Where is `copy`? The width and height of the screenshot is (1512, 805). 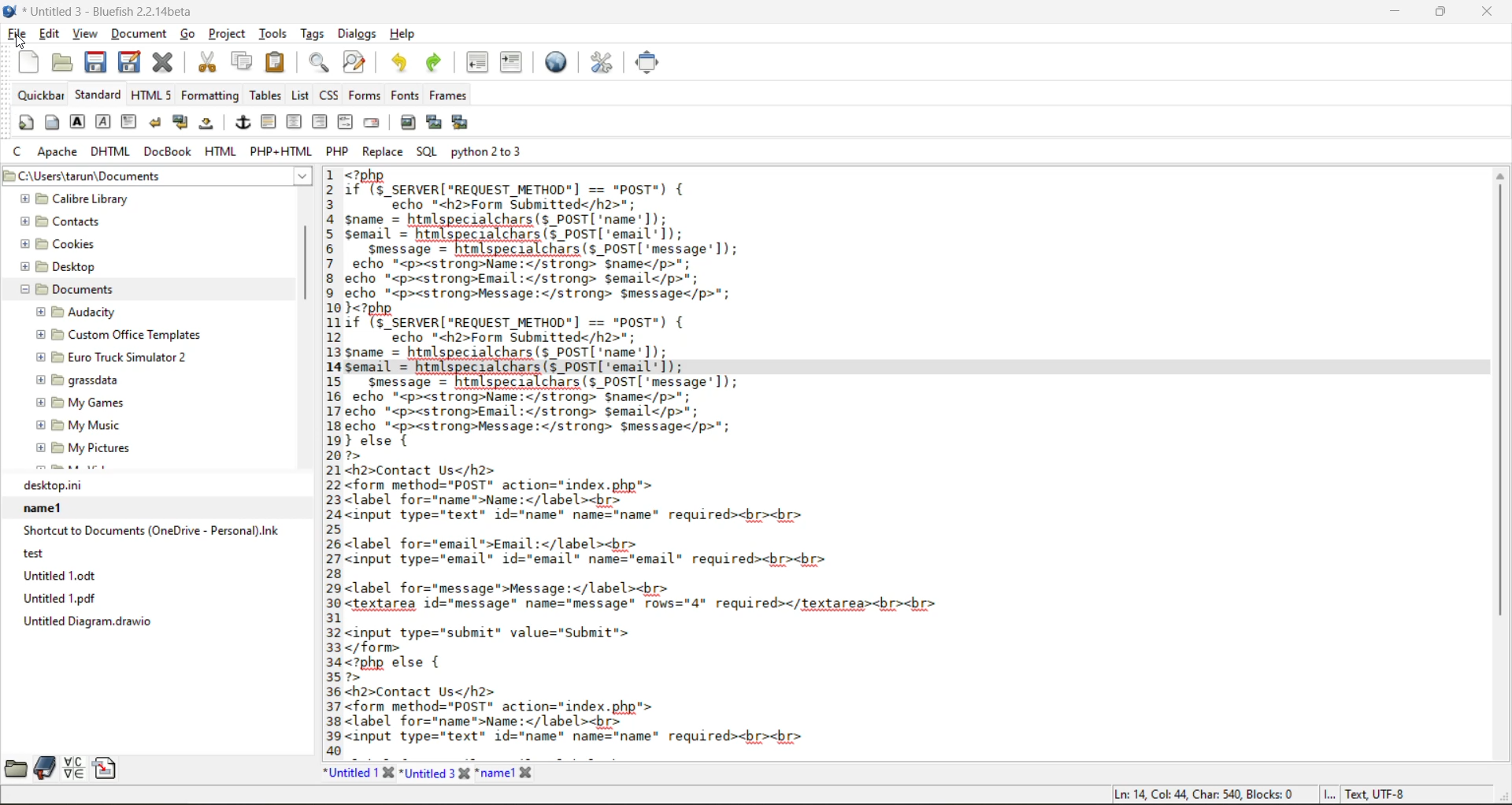
copy is located at coordinates (240, 62).